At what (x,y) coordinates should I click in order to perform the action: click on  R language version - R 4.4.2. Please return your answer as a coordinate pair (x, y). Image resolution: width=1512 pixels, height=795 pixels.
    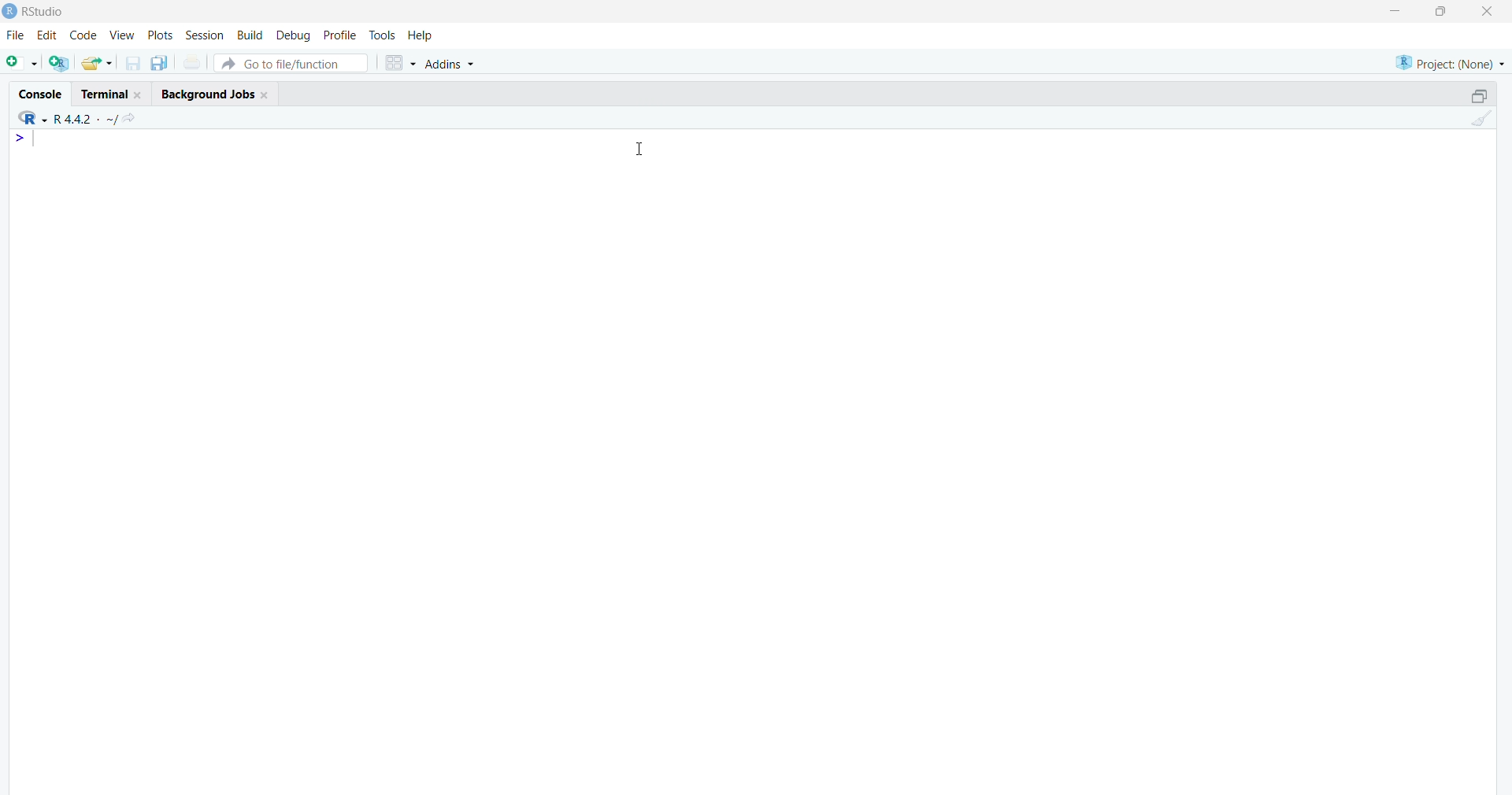
    Looking at the image, I should click on (82, 118).